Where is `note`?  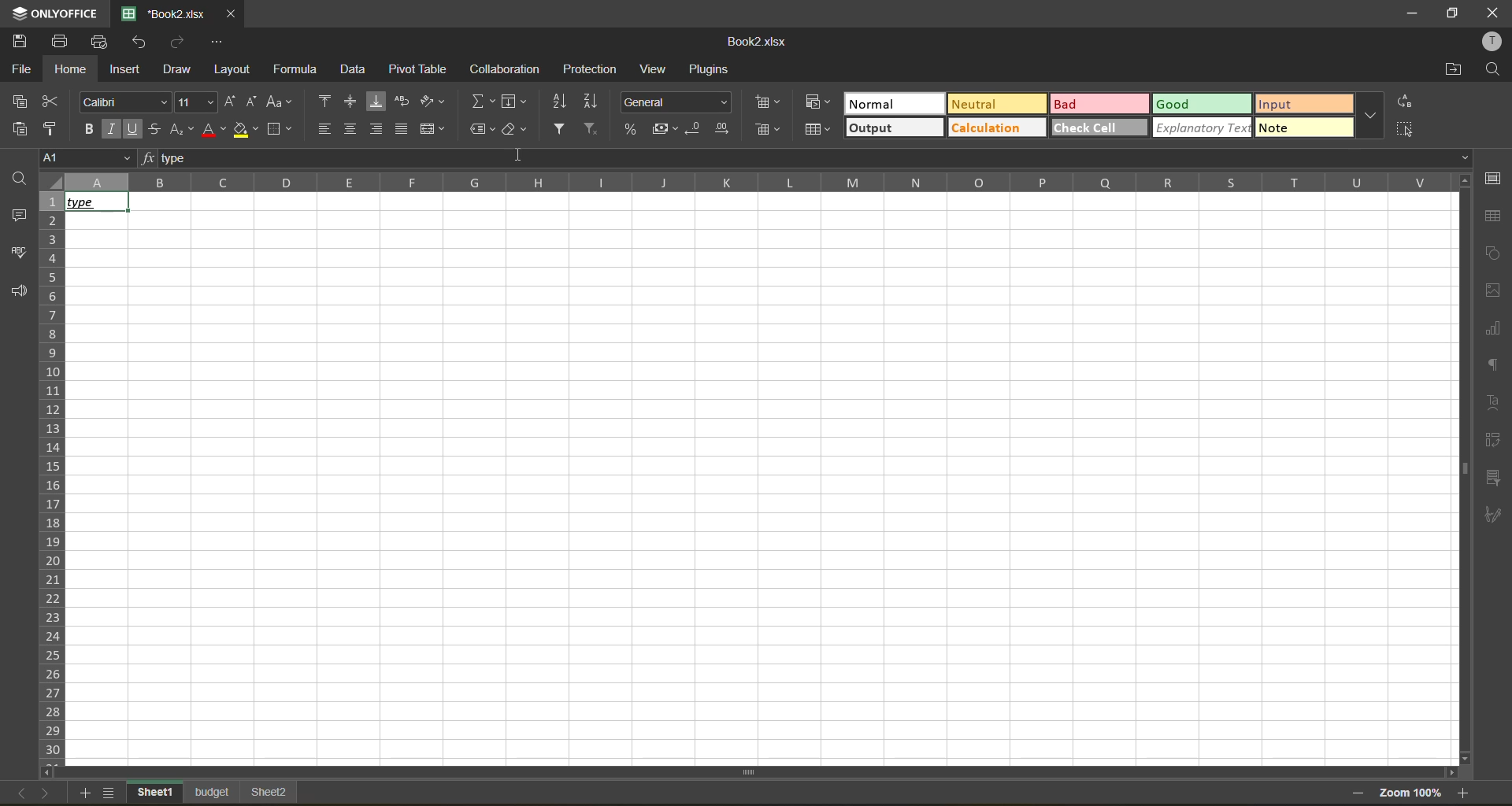
note is located at coordinates (1305, 128).